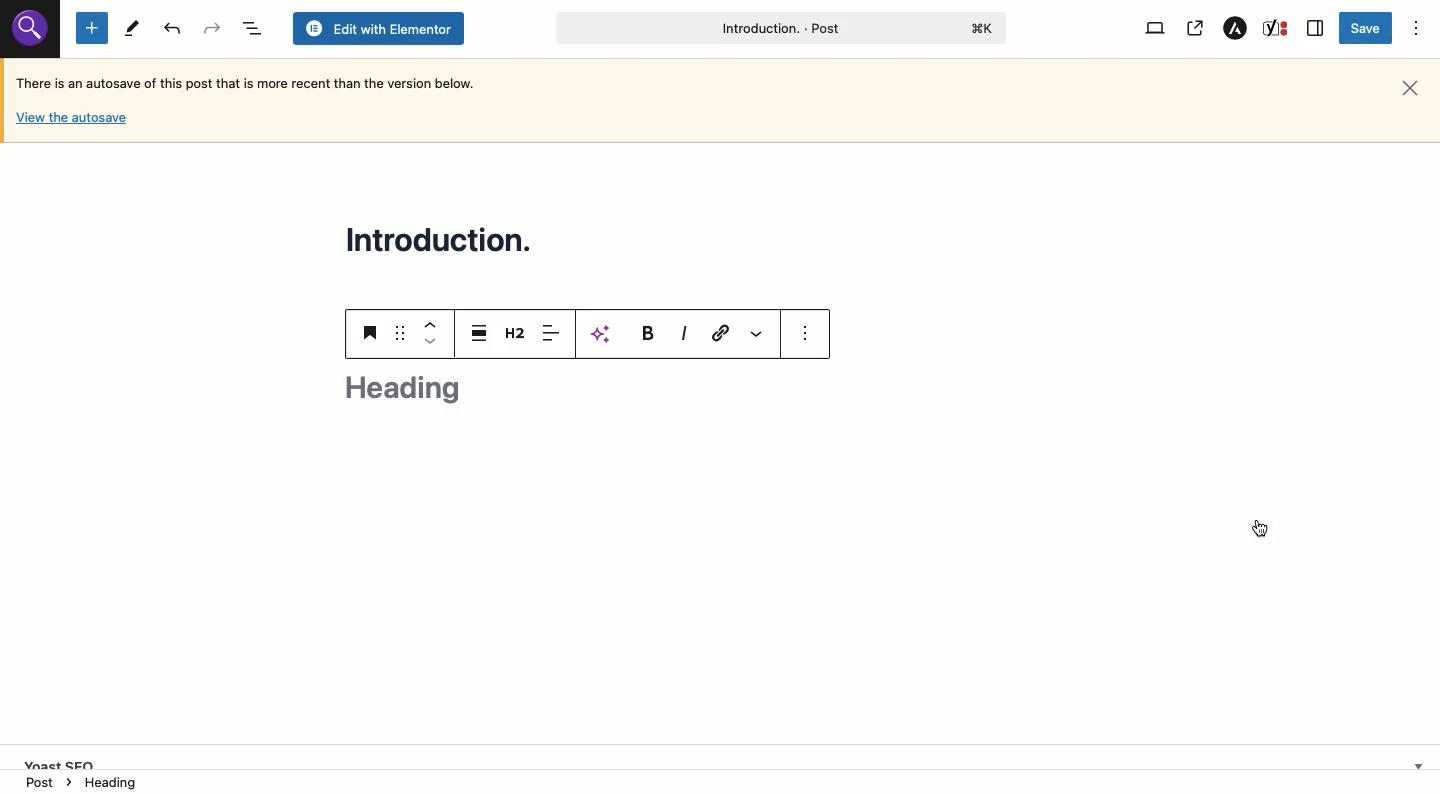 The width and height of the screenshot is (1440, 794). I want to click on Title, so click(444, 238).